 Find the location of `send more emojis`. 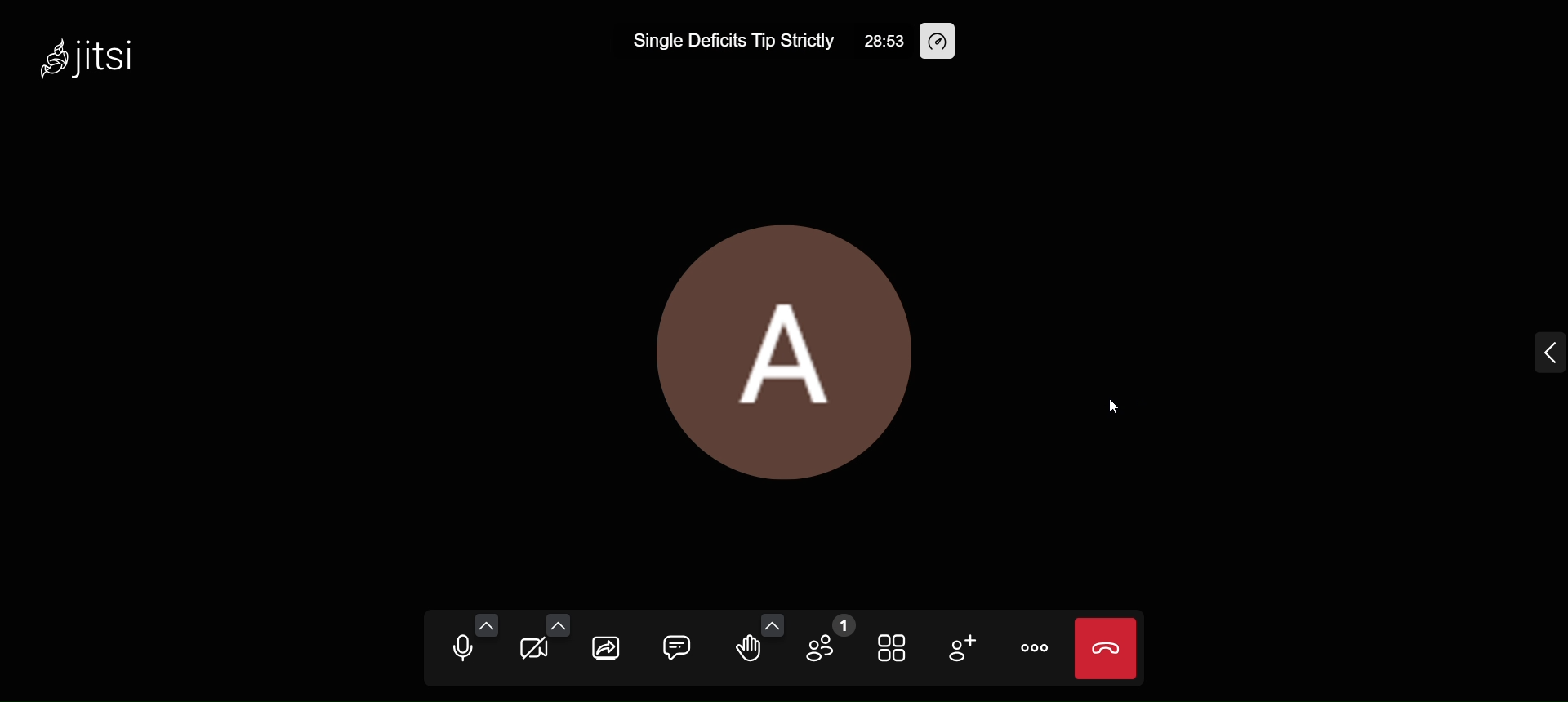

send more emojis is located at coordinates (768, 624).